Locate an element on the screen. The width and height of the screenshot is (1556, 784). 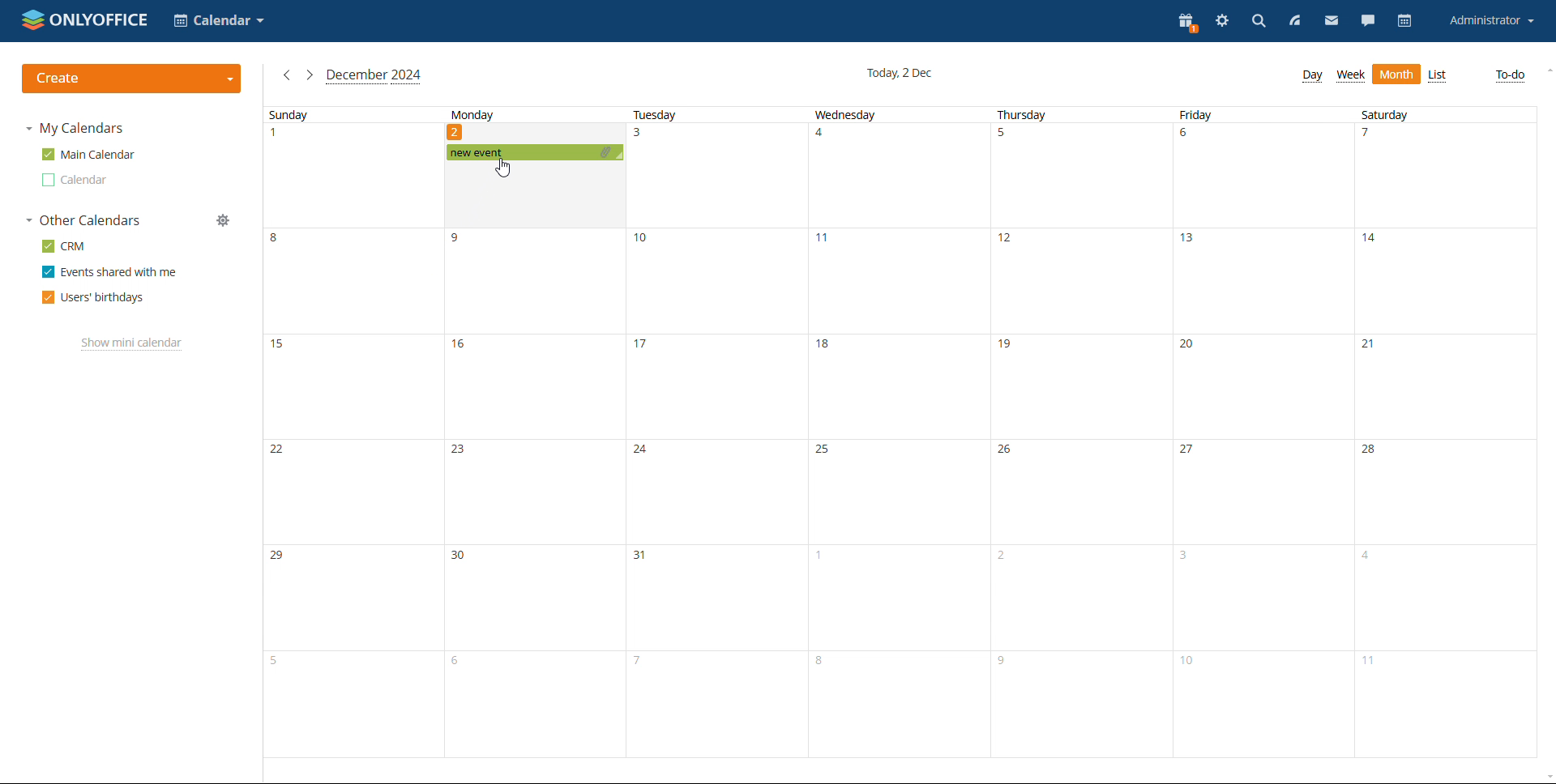
27 is located at coordinates (1189, 450).